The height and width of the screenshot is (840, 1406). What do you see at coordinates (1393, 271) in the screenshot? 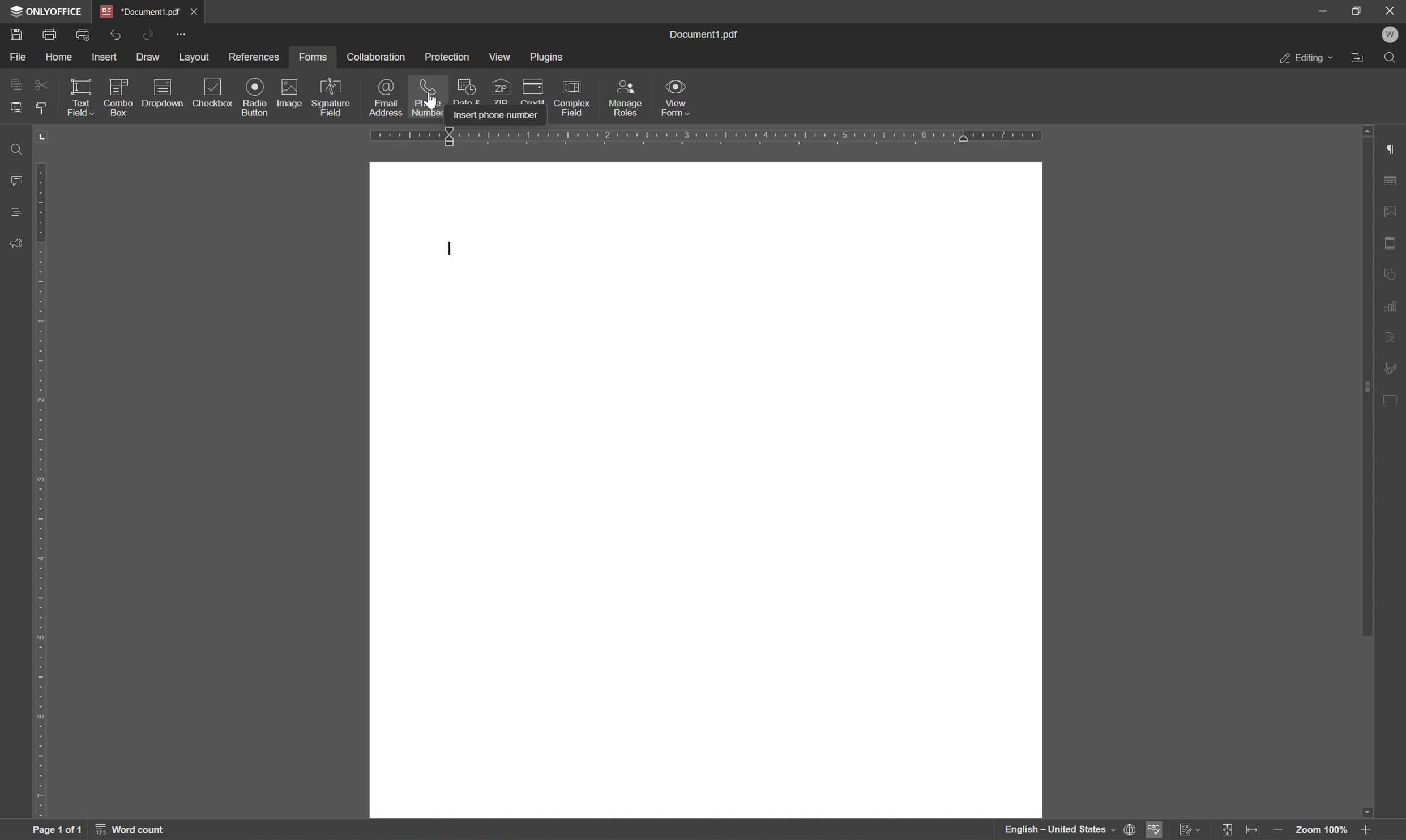
I see `shape settings` at bounding box center [1393, 271].